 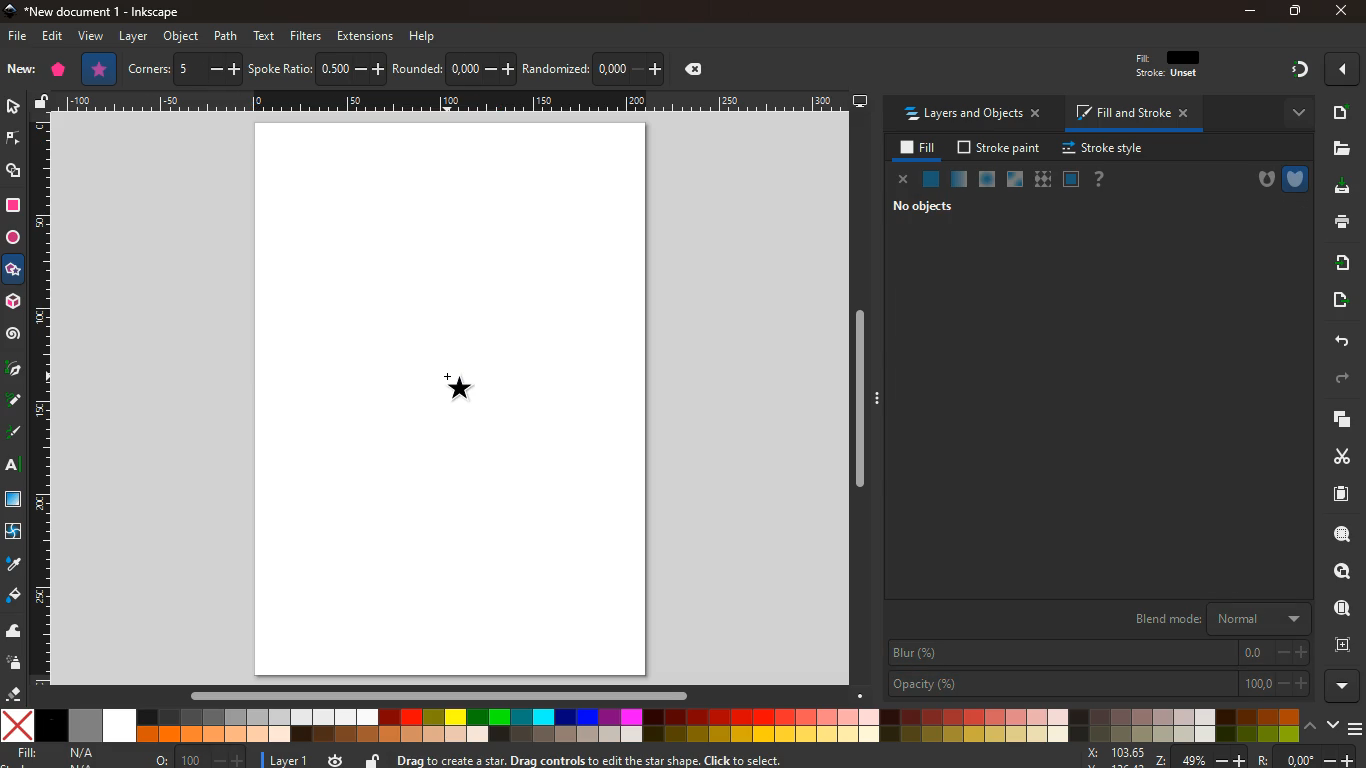 What do you see at coordinates (15, 338) in the screenshot?
I see `spiral` at bounding box center [15, 338].